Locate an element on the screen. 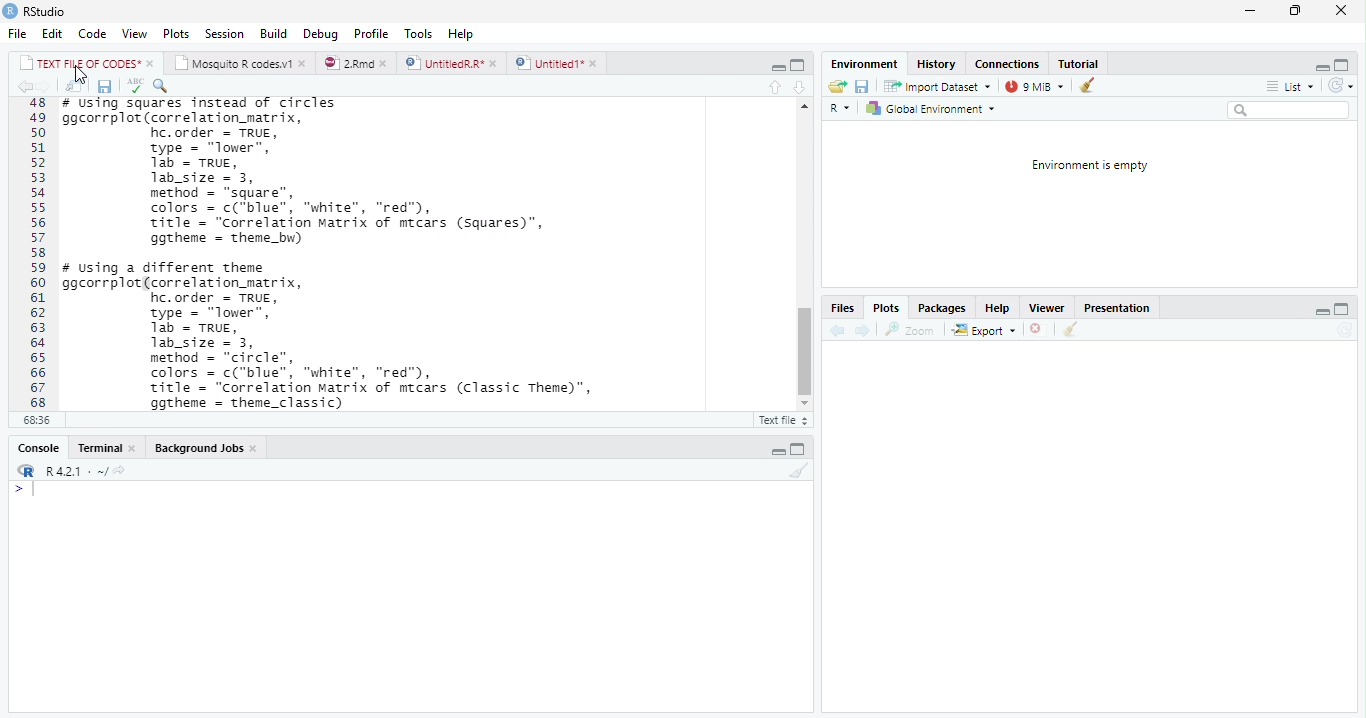  Environment is located at coordinates (864, 64).